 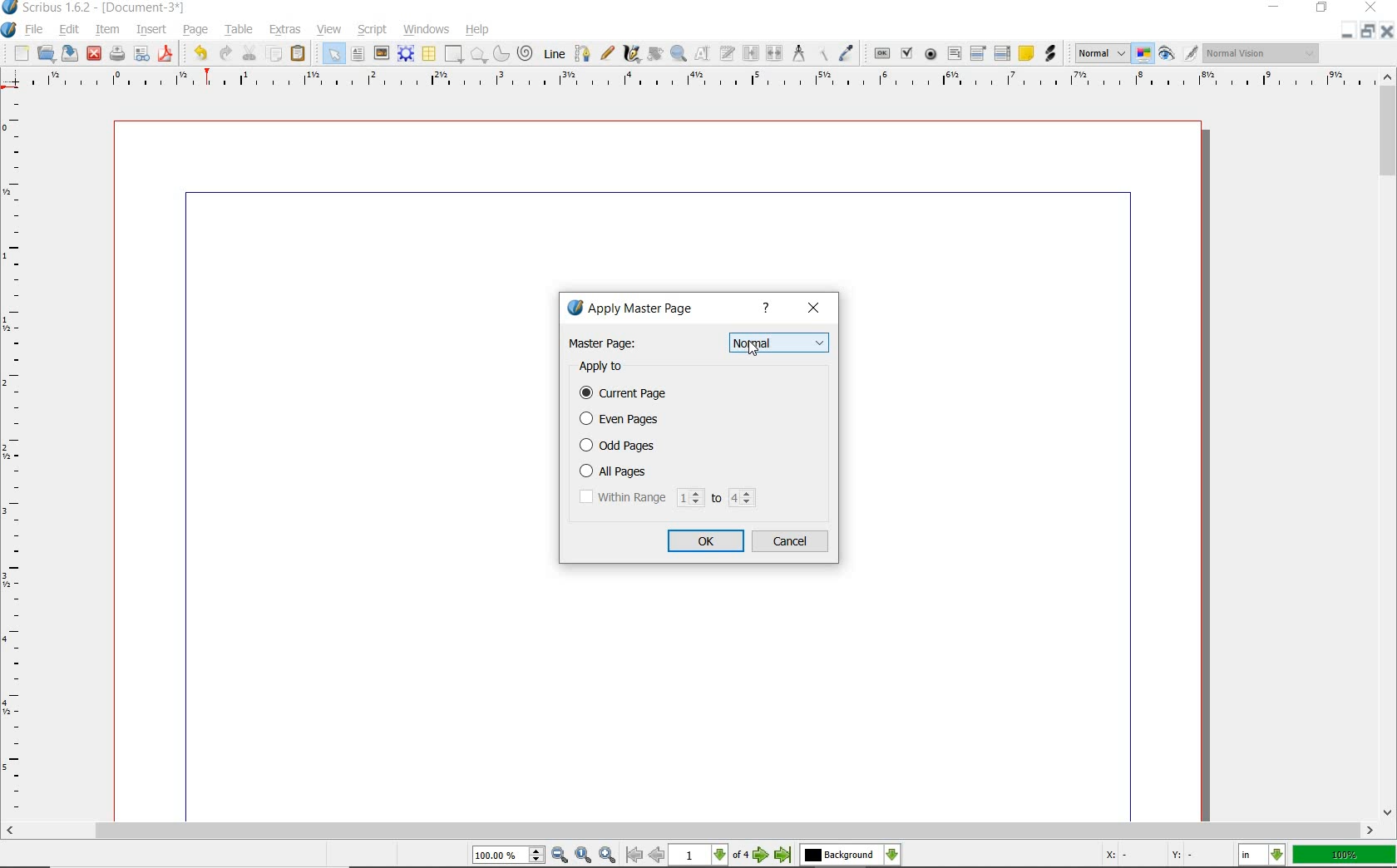 I want to click on eye dropper, so click(x=846, y=54).